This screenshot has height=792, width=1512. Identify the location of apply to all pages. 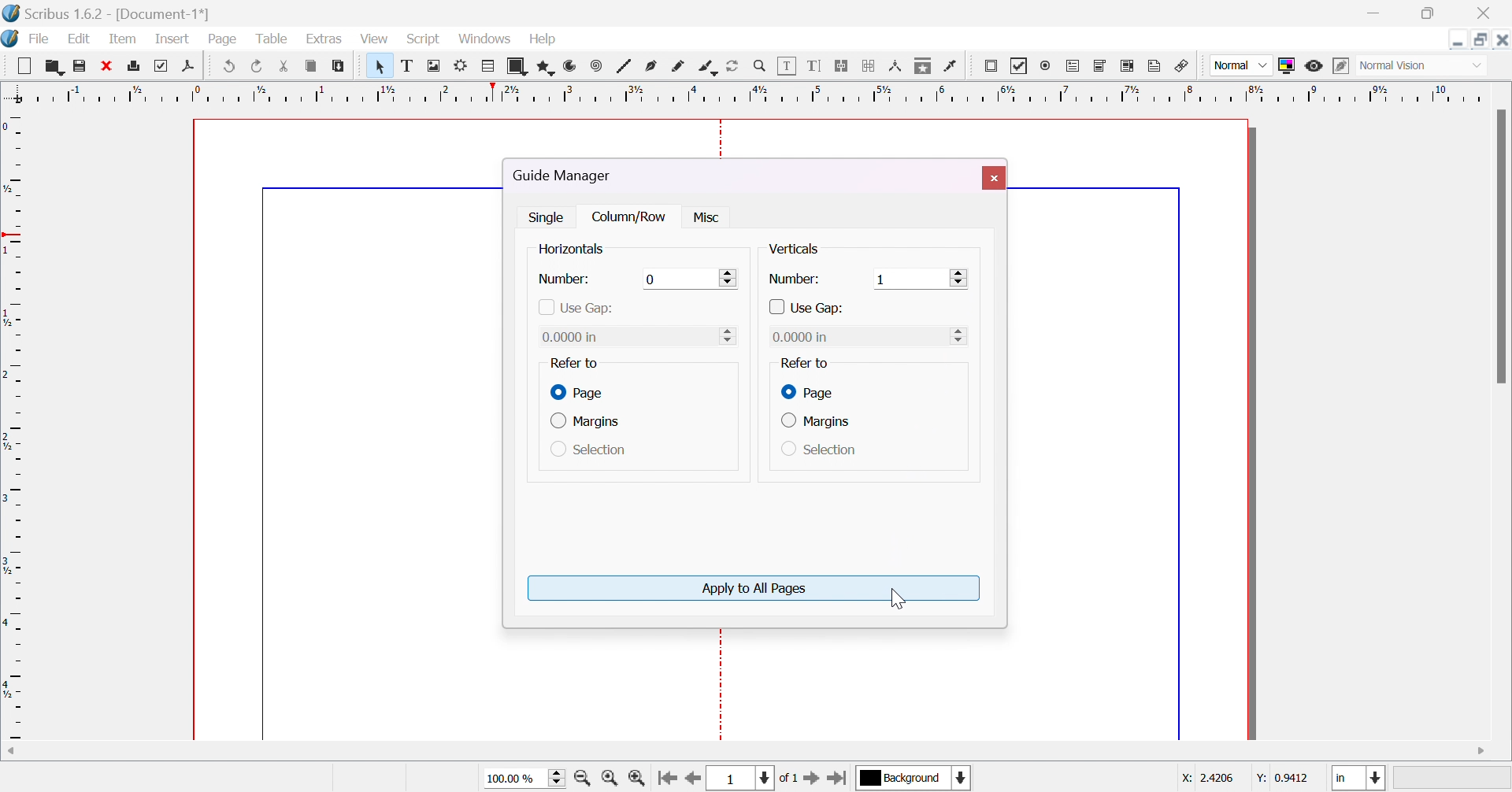
(755, 589).